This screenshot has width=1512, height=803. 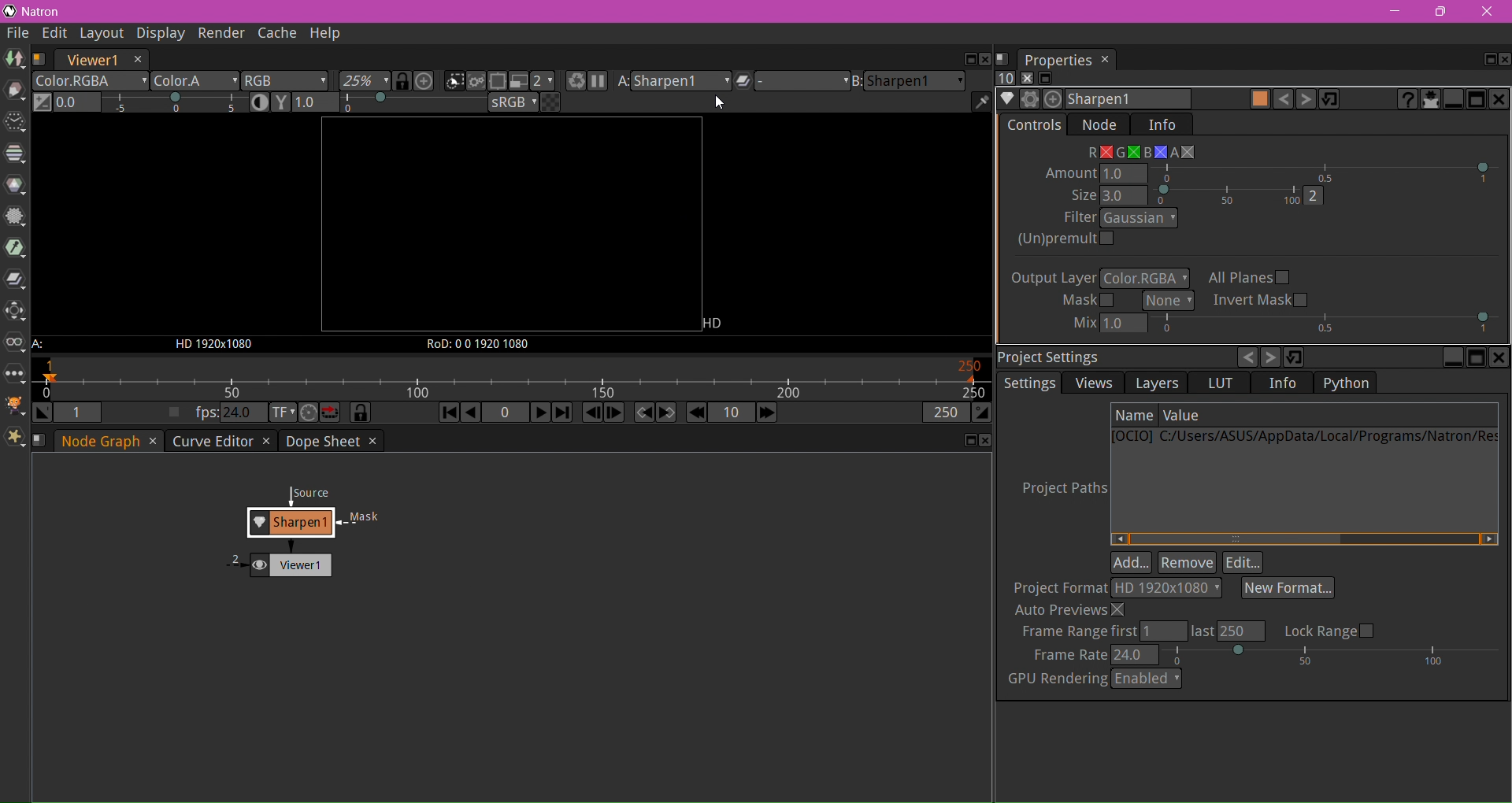 What do you see at coordinates (1352, 383) in the screenshot?
I see `Python` at bounding box center [1352, 383].